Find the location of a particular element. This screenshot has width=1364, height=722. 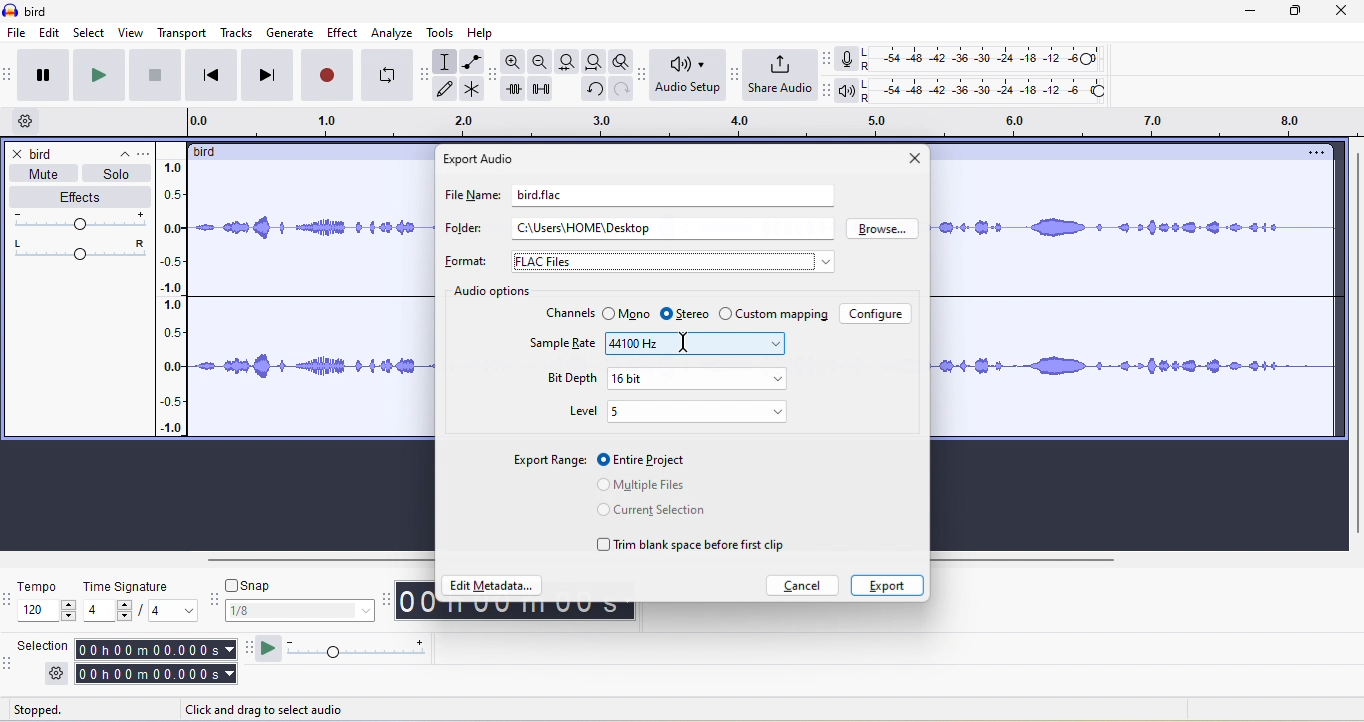

stopped is located at coordinates (59, 711).